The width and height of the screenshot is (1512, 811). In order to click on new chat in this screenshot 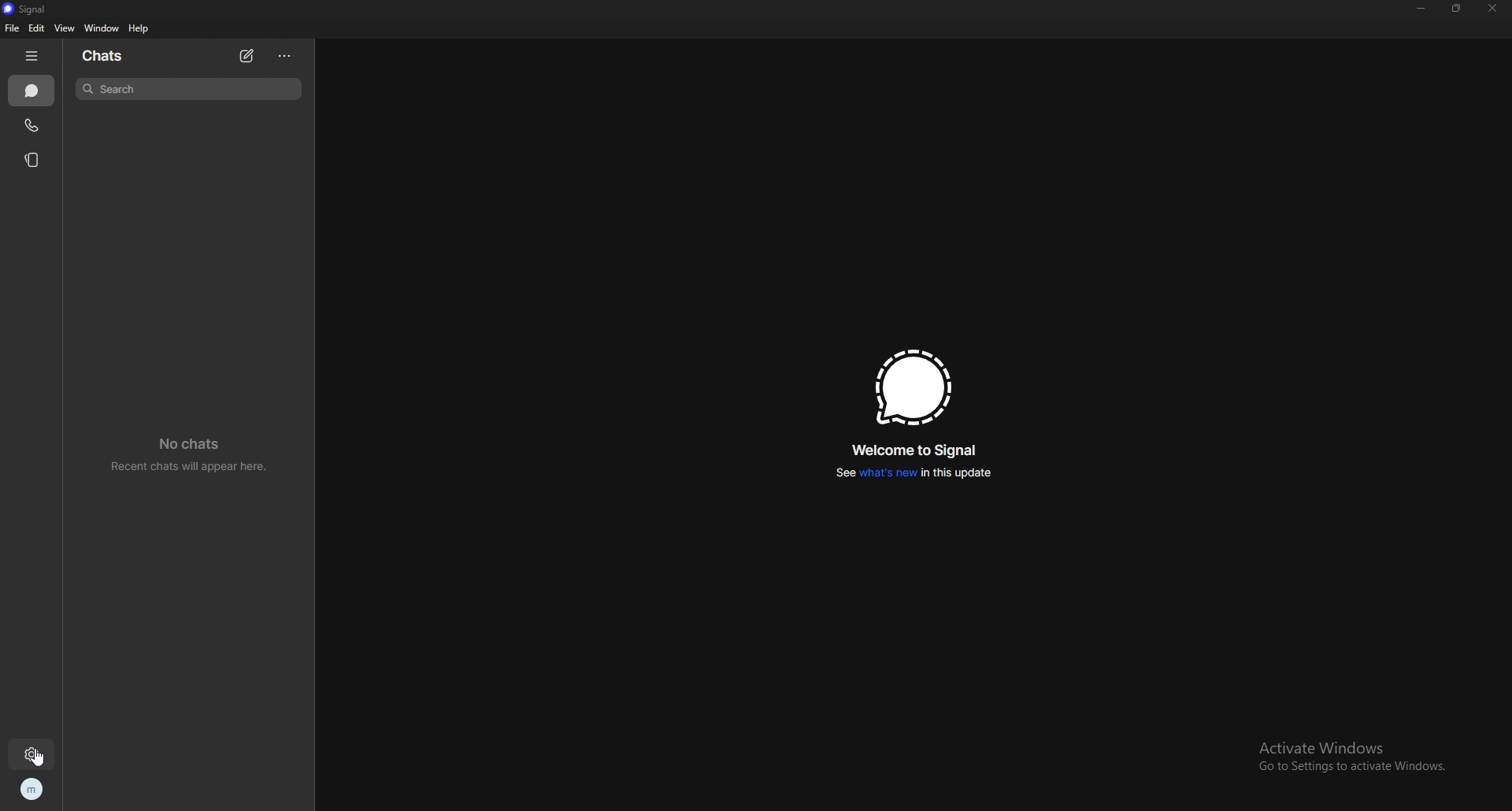, I will do `click(246, 56)`.